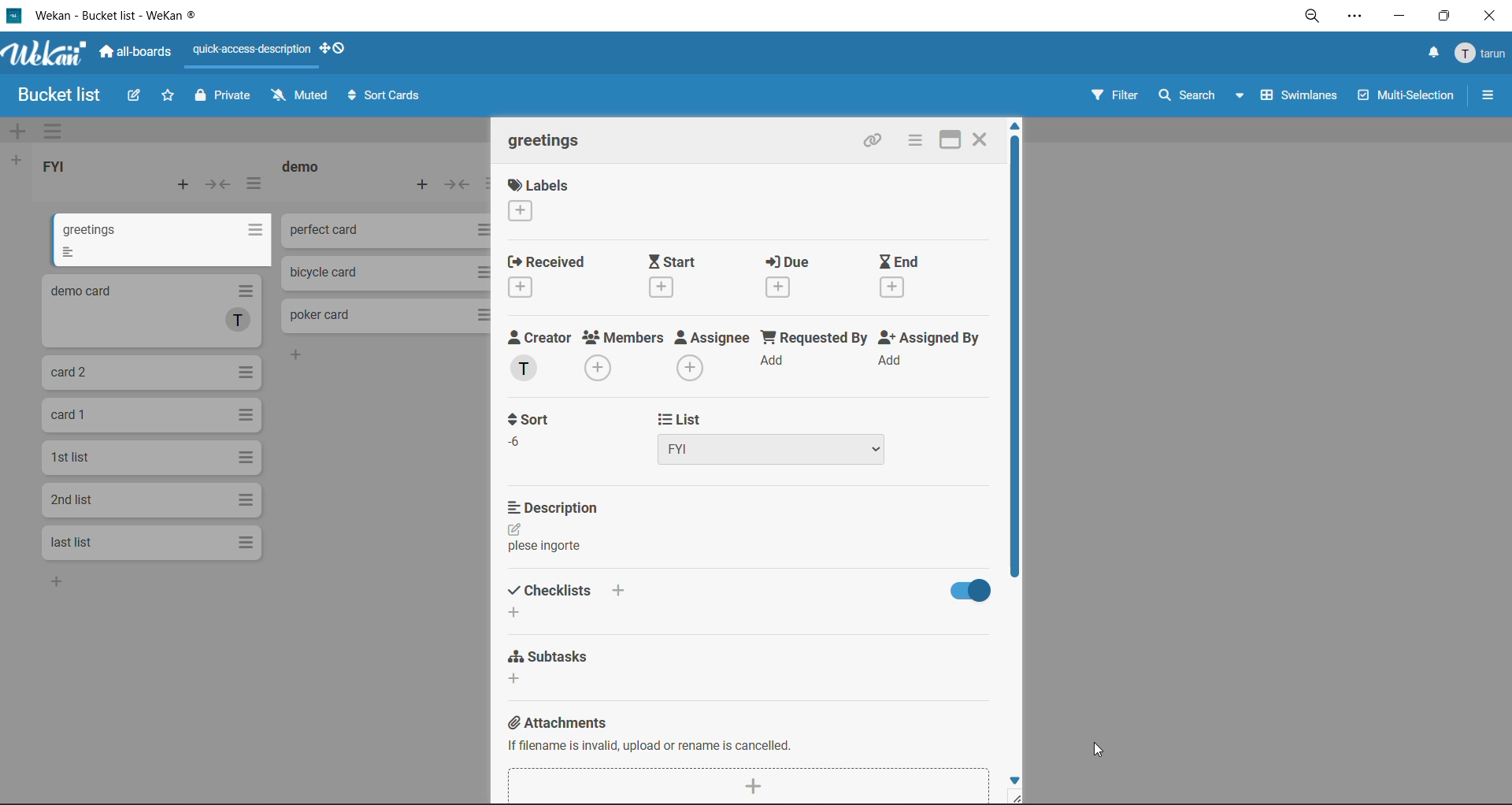 This screenshot has width=1512, height=805. What do you see at coordinates (787, 436) in the screenshot?
I see `list` at bounding box center [787, 436].